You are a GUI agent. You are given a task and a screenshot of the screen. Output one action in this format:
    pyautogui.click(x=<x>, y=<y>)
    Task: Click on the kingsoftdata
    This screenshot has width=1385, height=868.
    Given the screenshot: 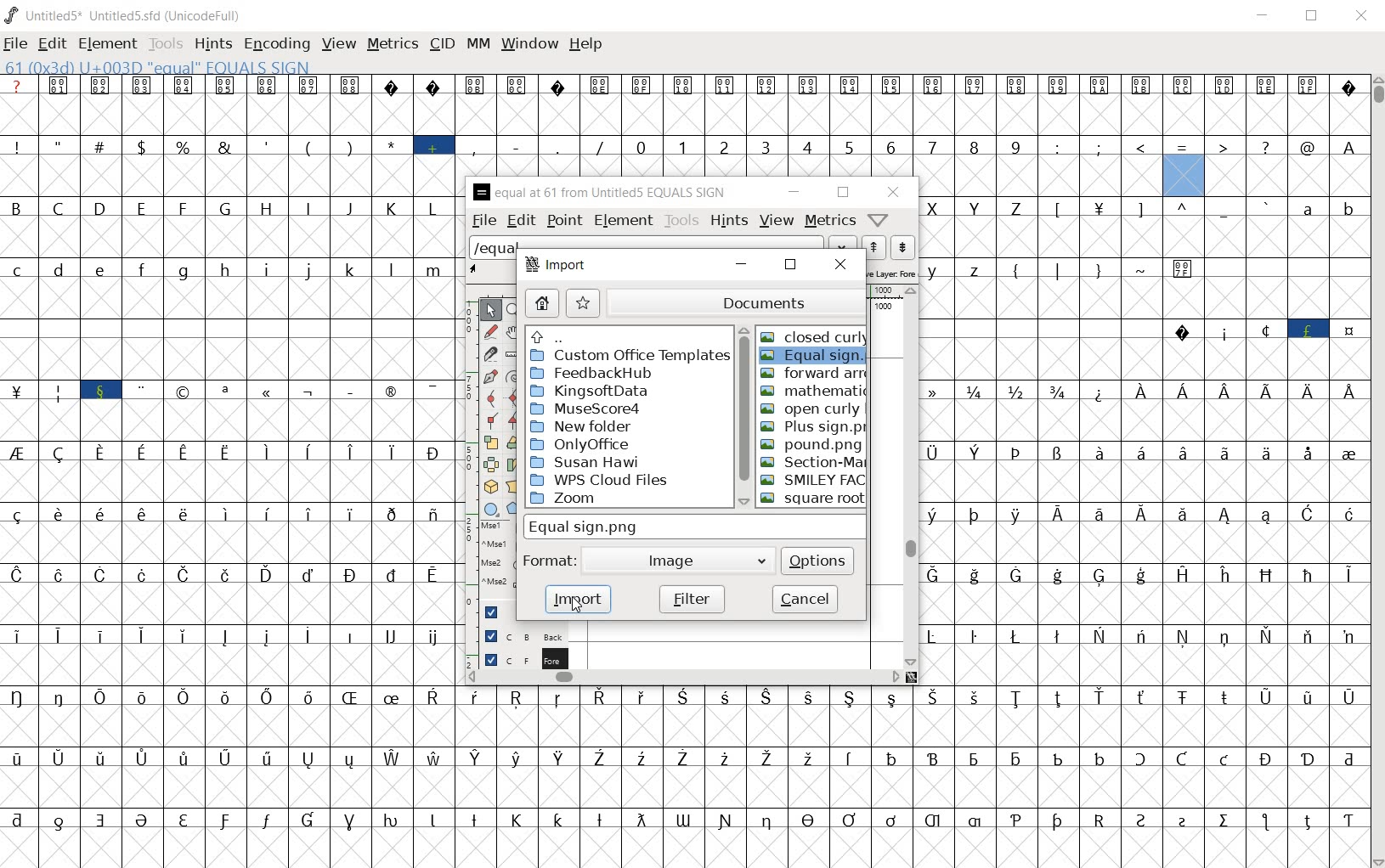 What is the action you would take?
    pyautogui.click(x=592, y=392)
    